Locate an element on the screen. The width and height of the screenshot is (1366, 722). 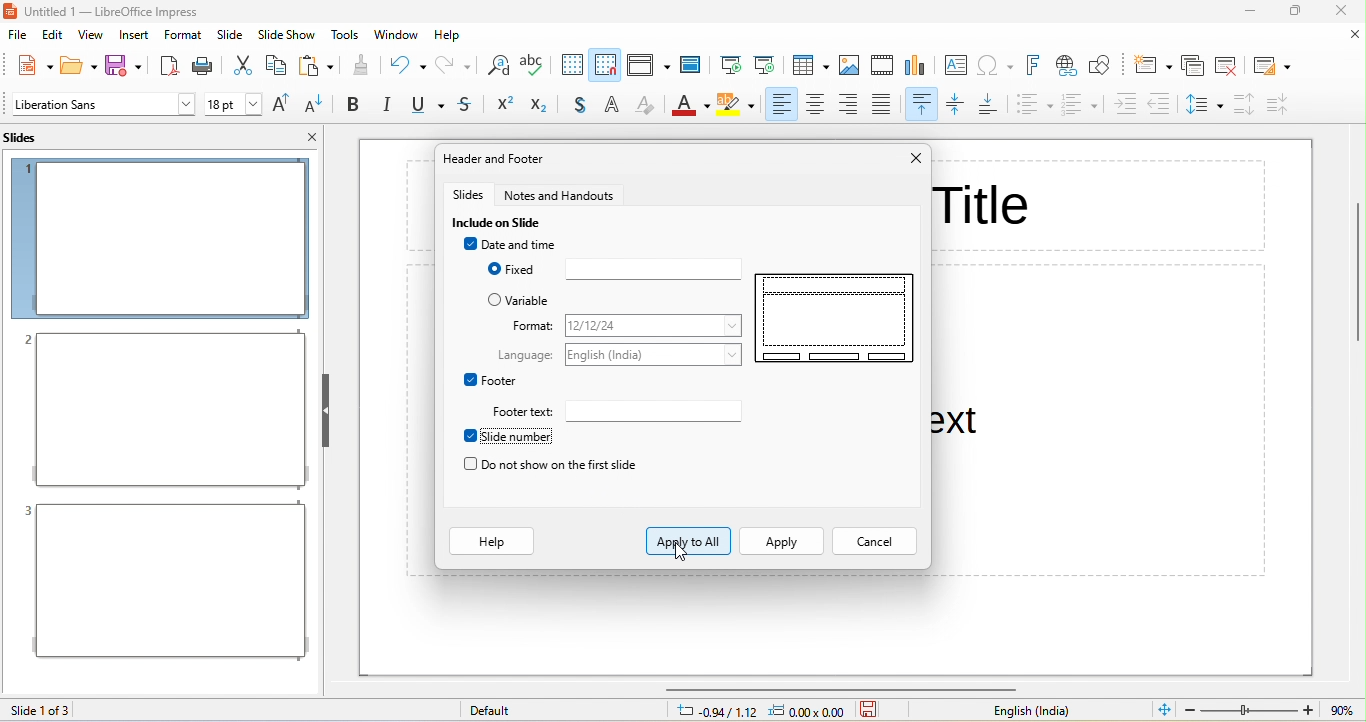
slide 1 is located at coordinates (160, 238).